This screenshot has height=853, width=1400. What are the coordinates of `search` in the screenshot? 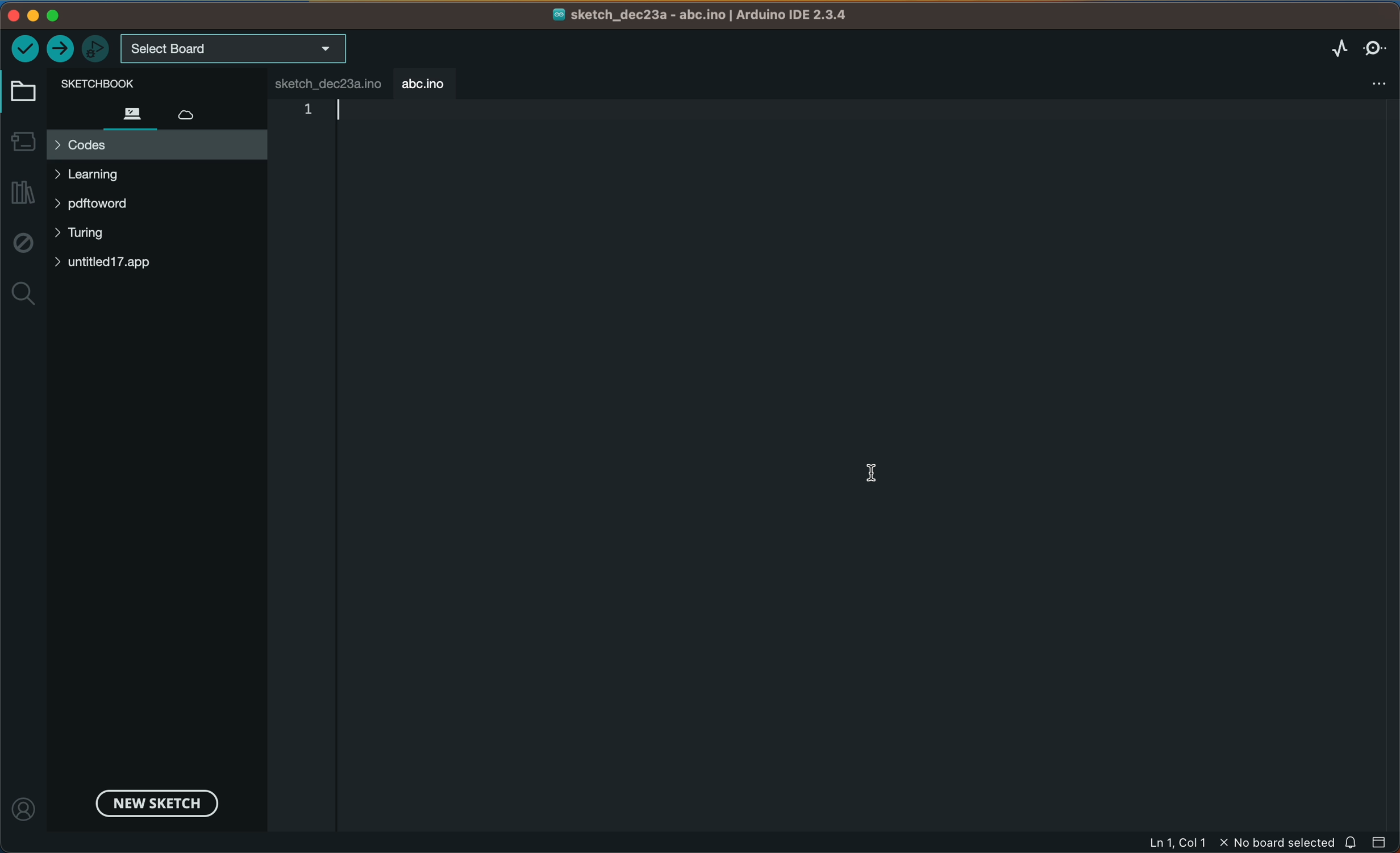 It's located at (23, 295).